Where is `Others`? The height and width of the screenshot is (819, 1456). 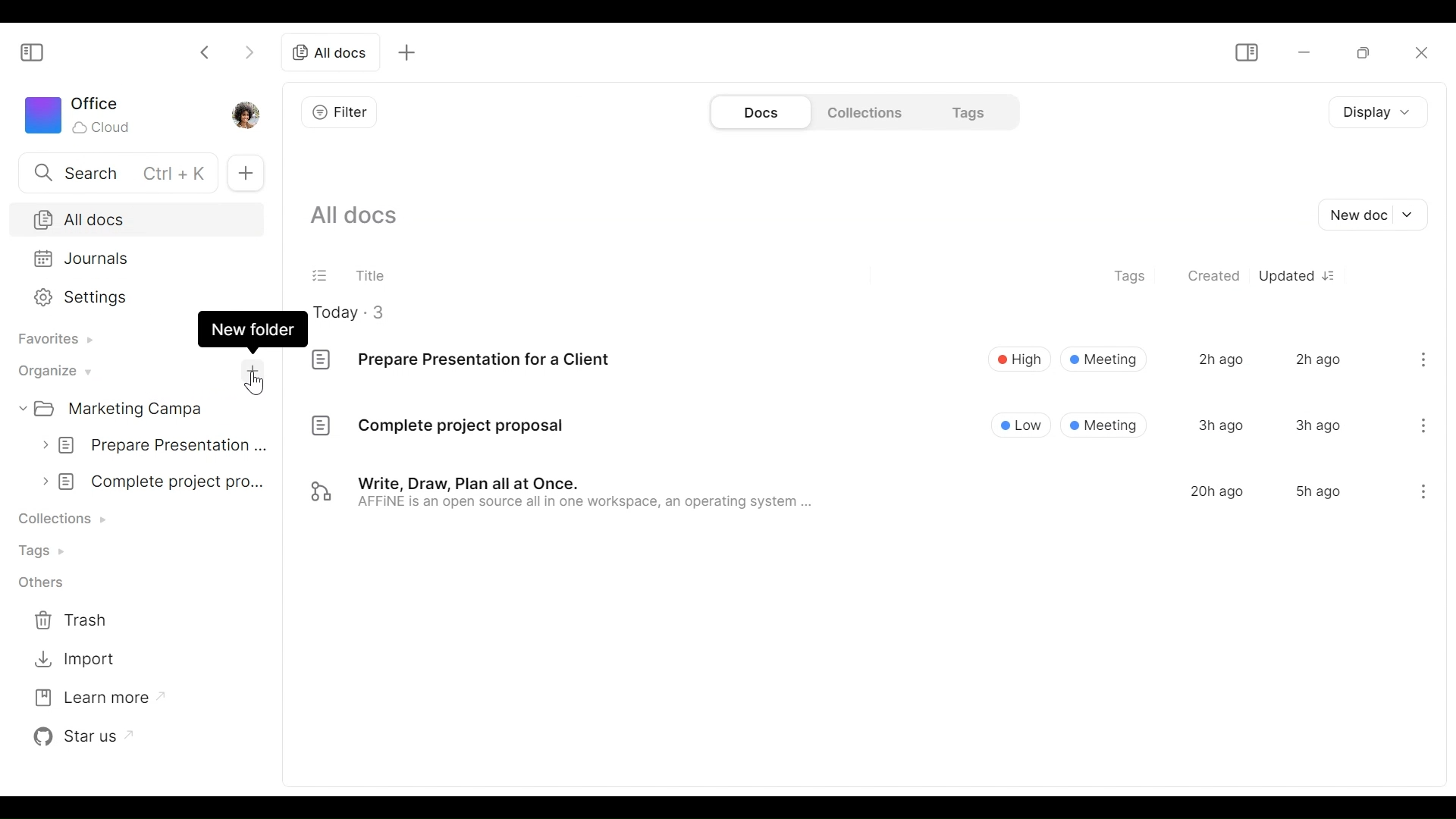
Others is located at coordinates (40, 584).